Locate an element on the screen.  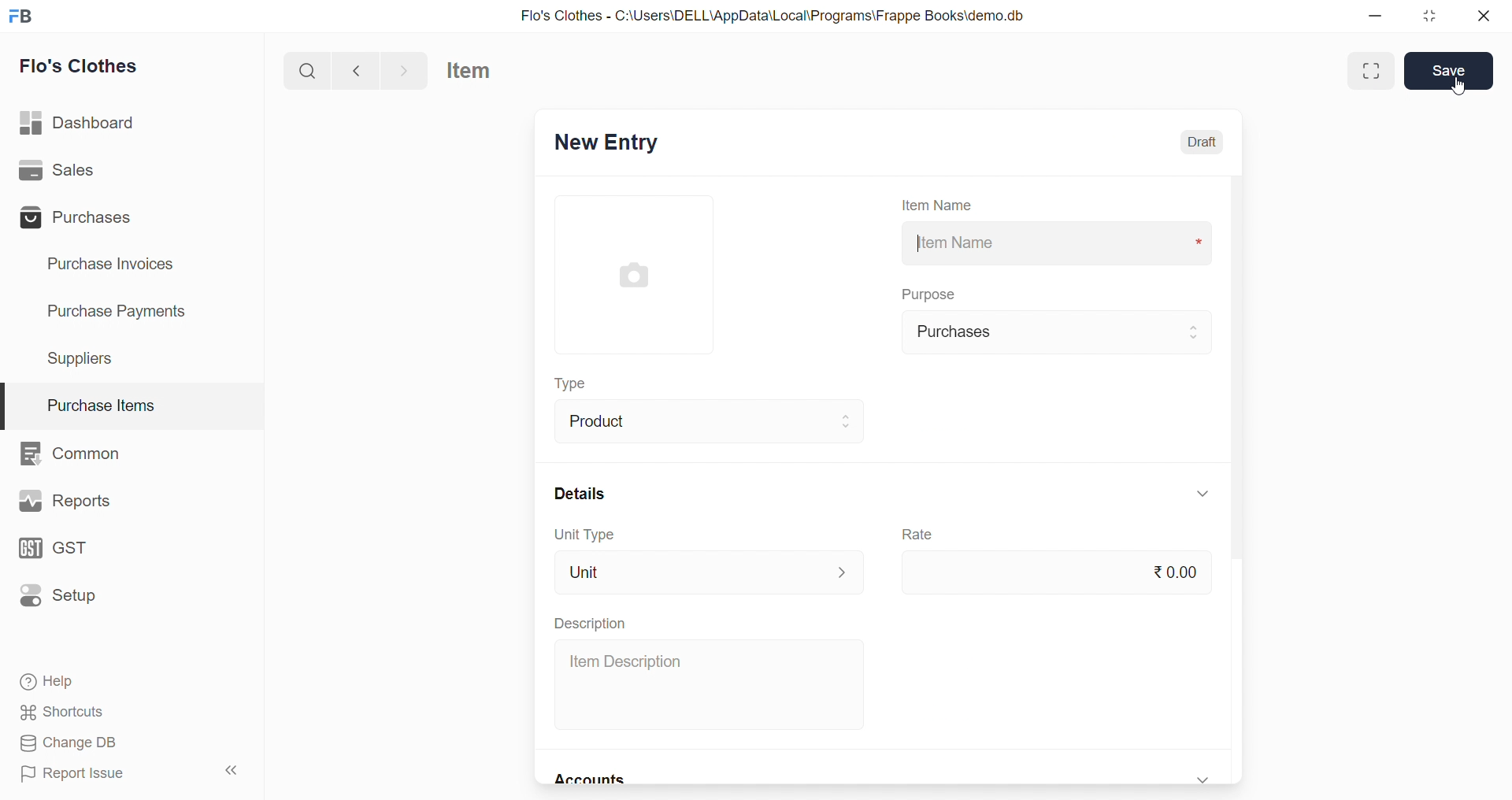
Sales is located at coordinates (81, 171).